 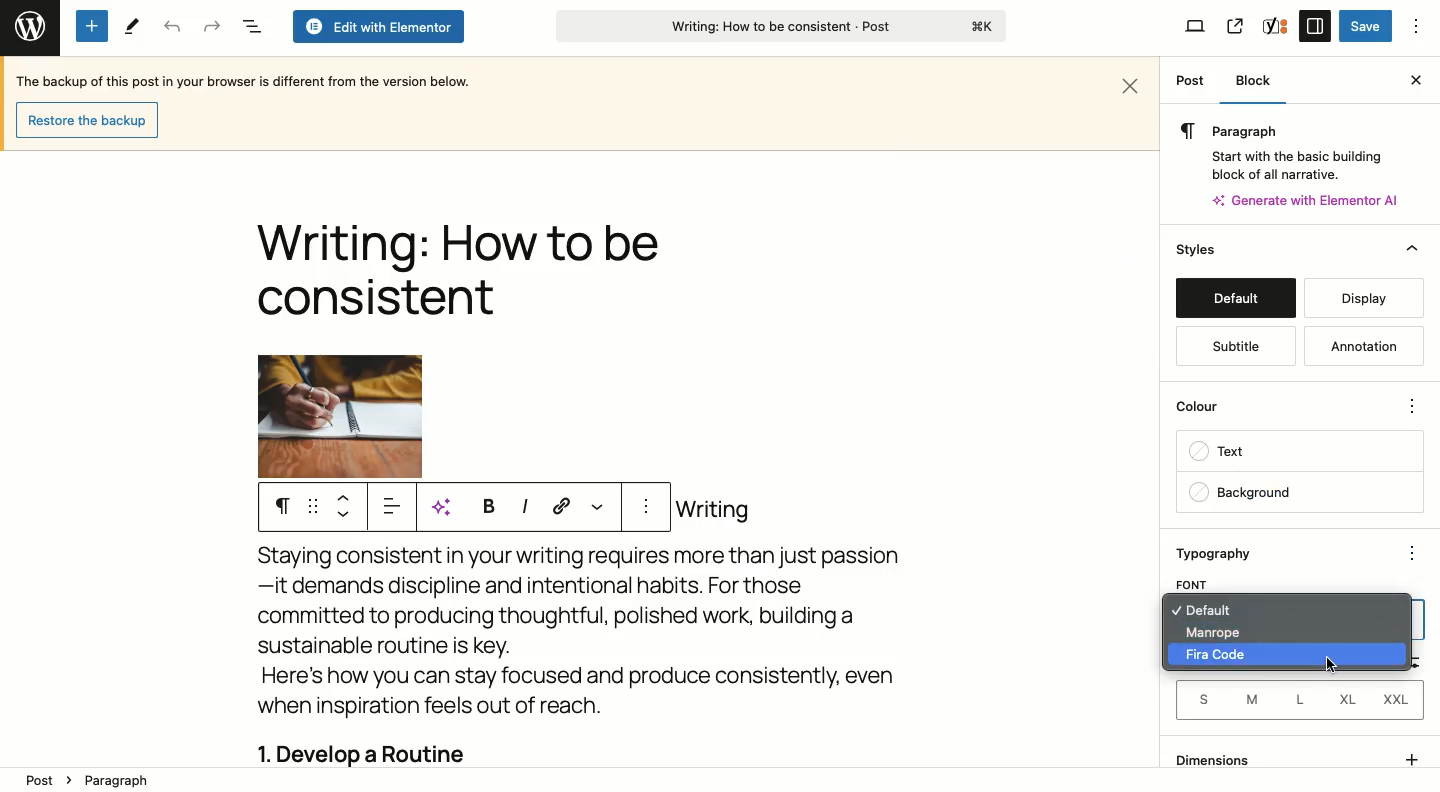 What do you see at coordinates (1234, 26) in the screenshot?
I see `View post` at bounding box center [1234, 26].